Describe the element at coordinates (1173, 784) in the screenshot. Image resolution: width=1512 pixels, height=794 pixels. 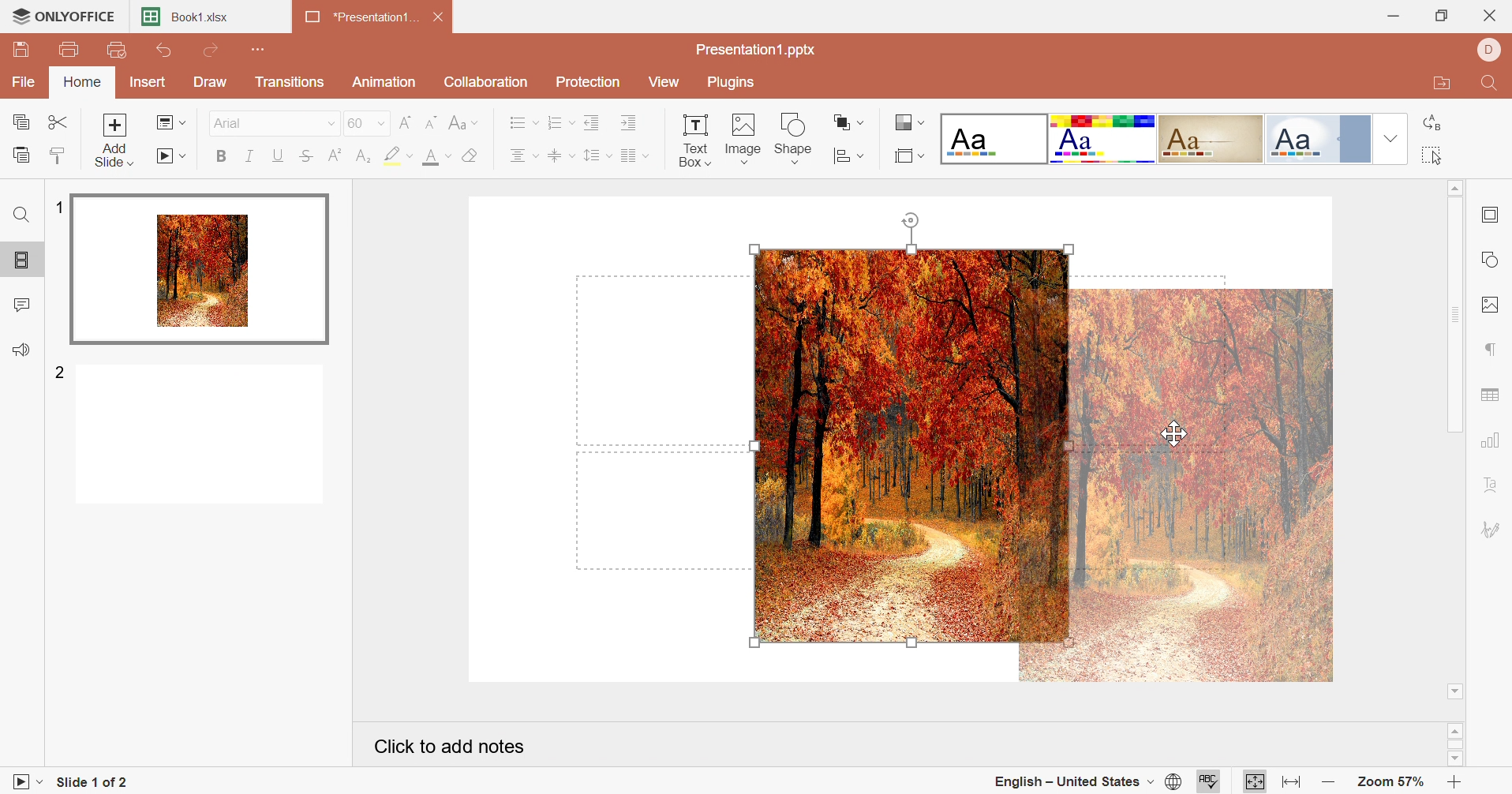
I see `Set document language` at that location.